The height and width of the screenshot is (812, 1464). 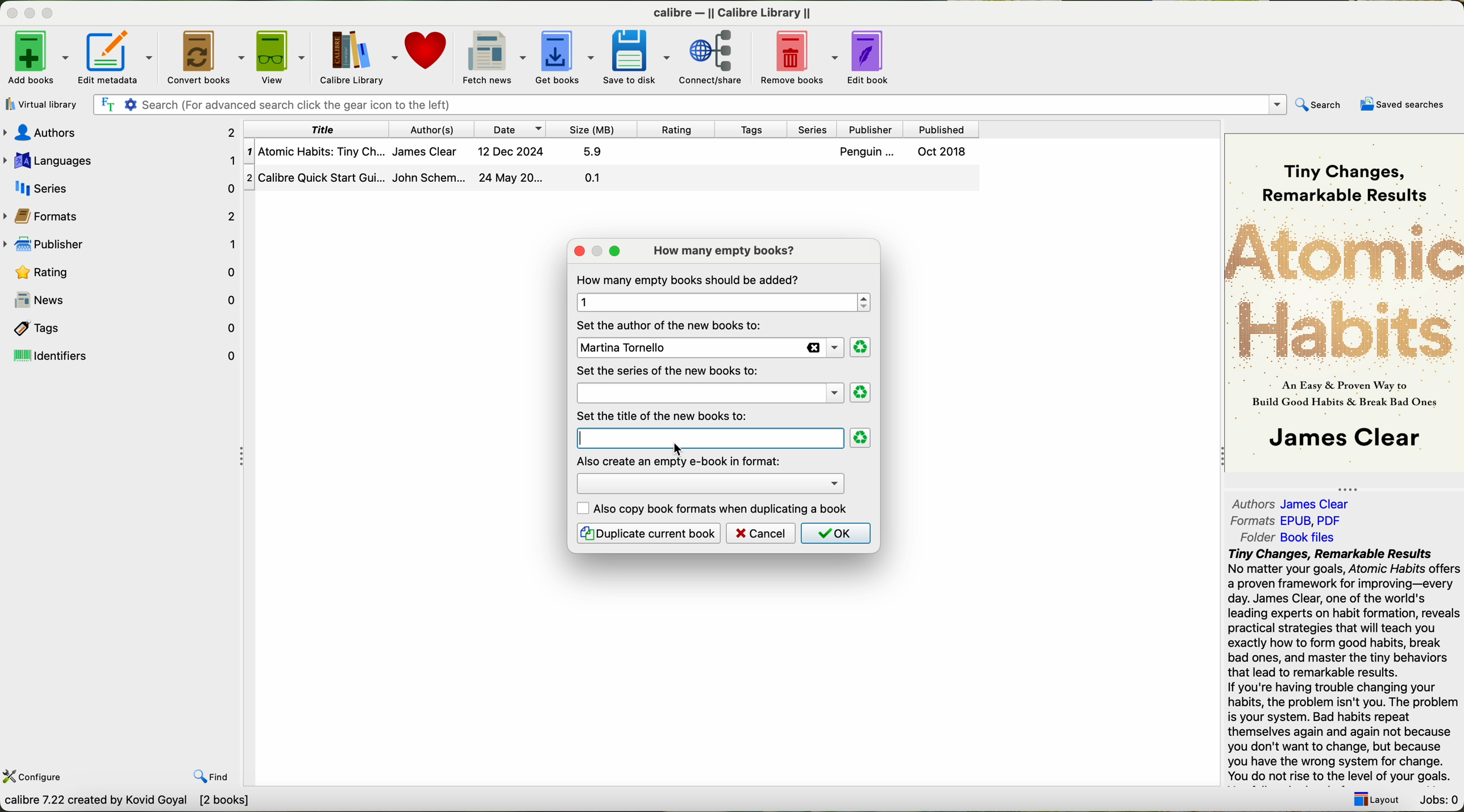 I want to click on 1, so click(x=720, y=302).